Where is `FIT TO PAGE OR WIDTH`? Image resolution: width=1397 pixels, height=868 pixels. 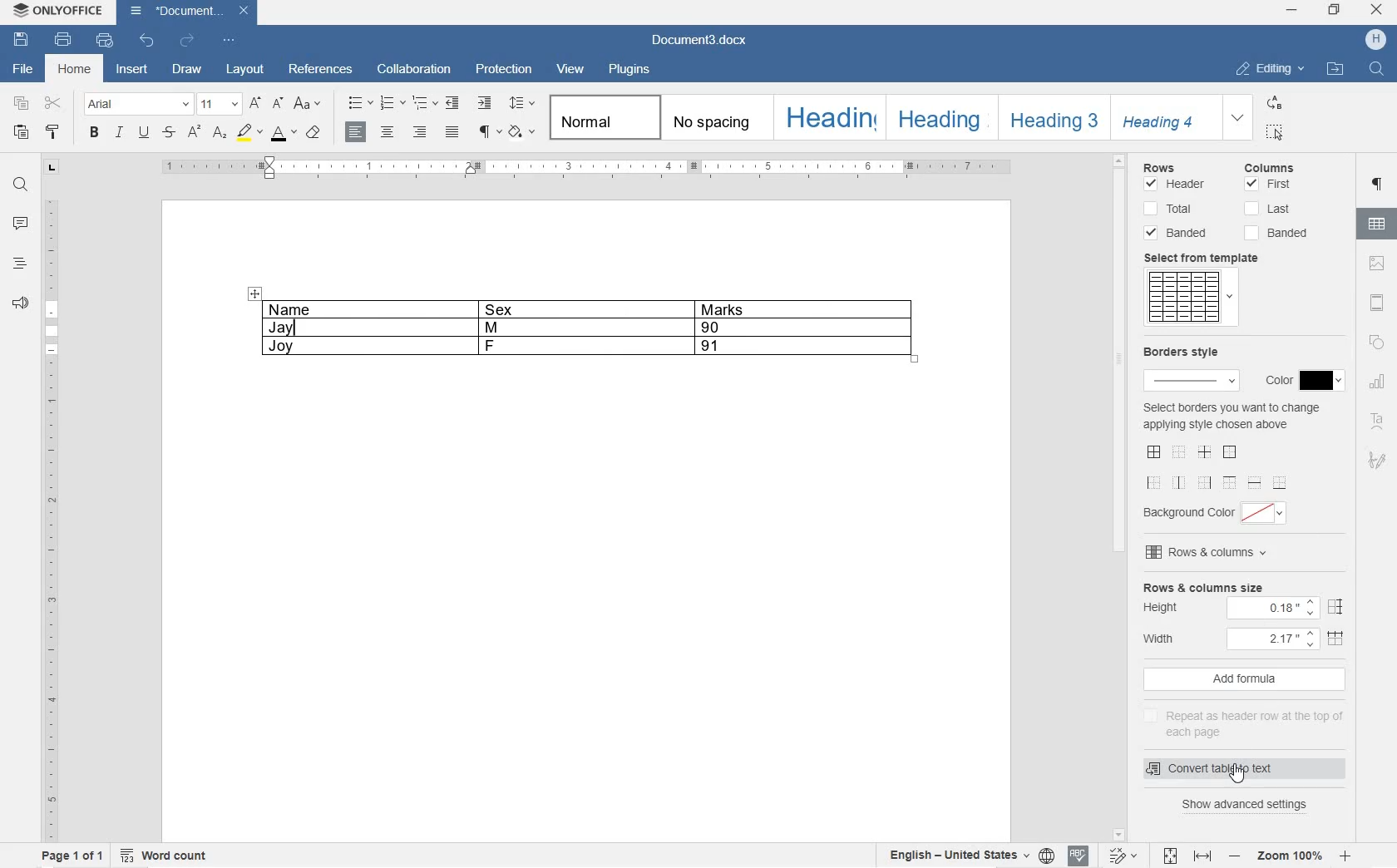
FIT TO PAGE OR WIDTH is located at coordinates (1185, 856).